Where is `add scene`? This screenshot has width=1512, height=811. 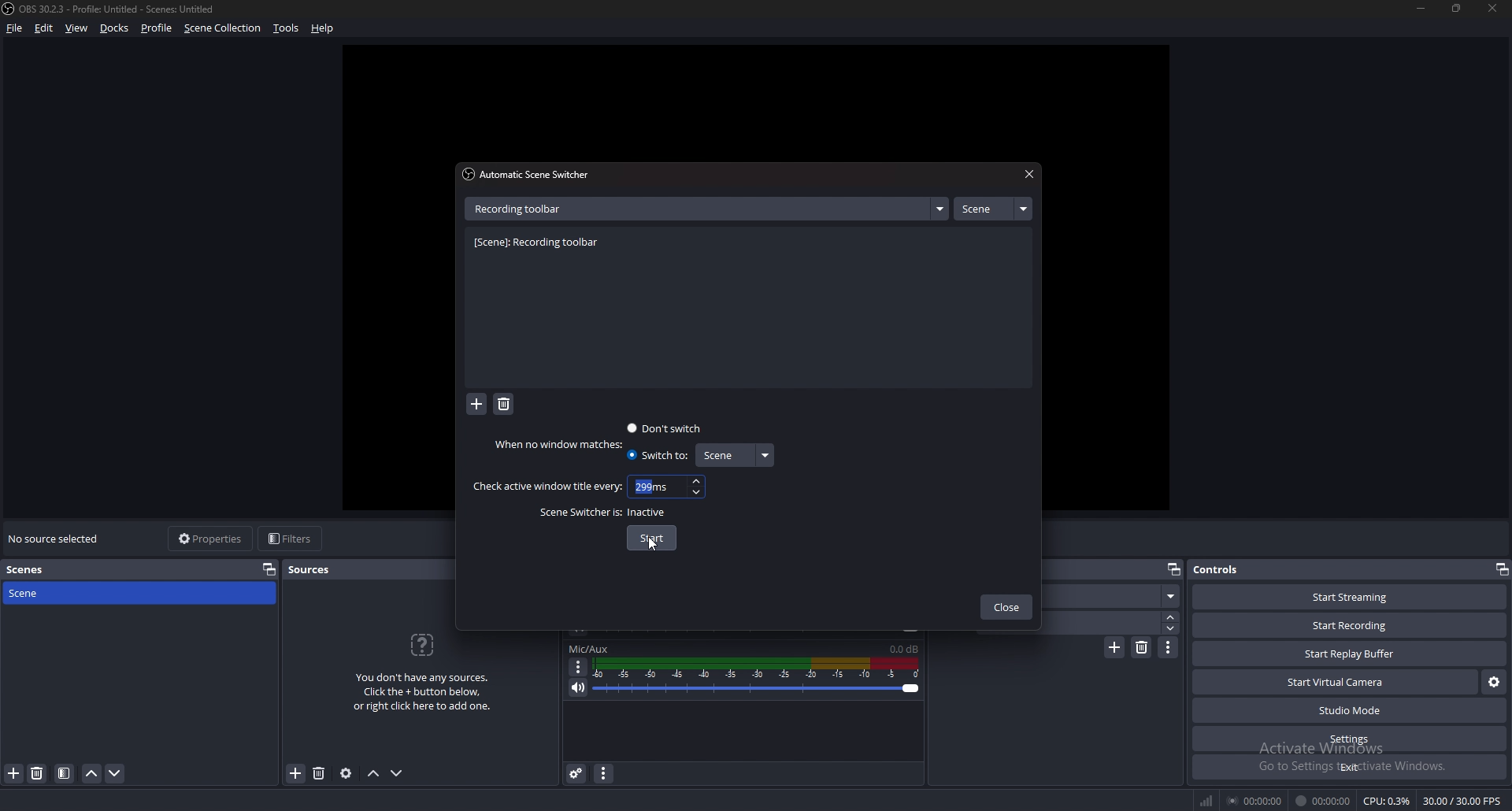 add scene is located at coordinates (14, 772).